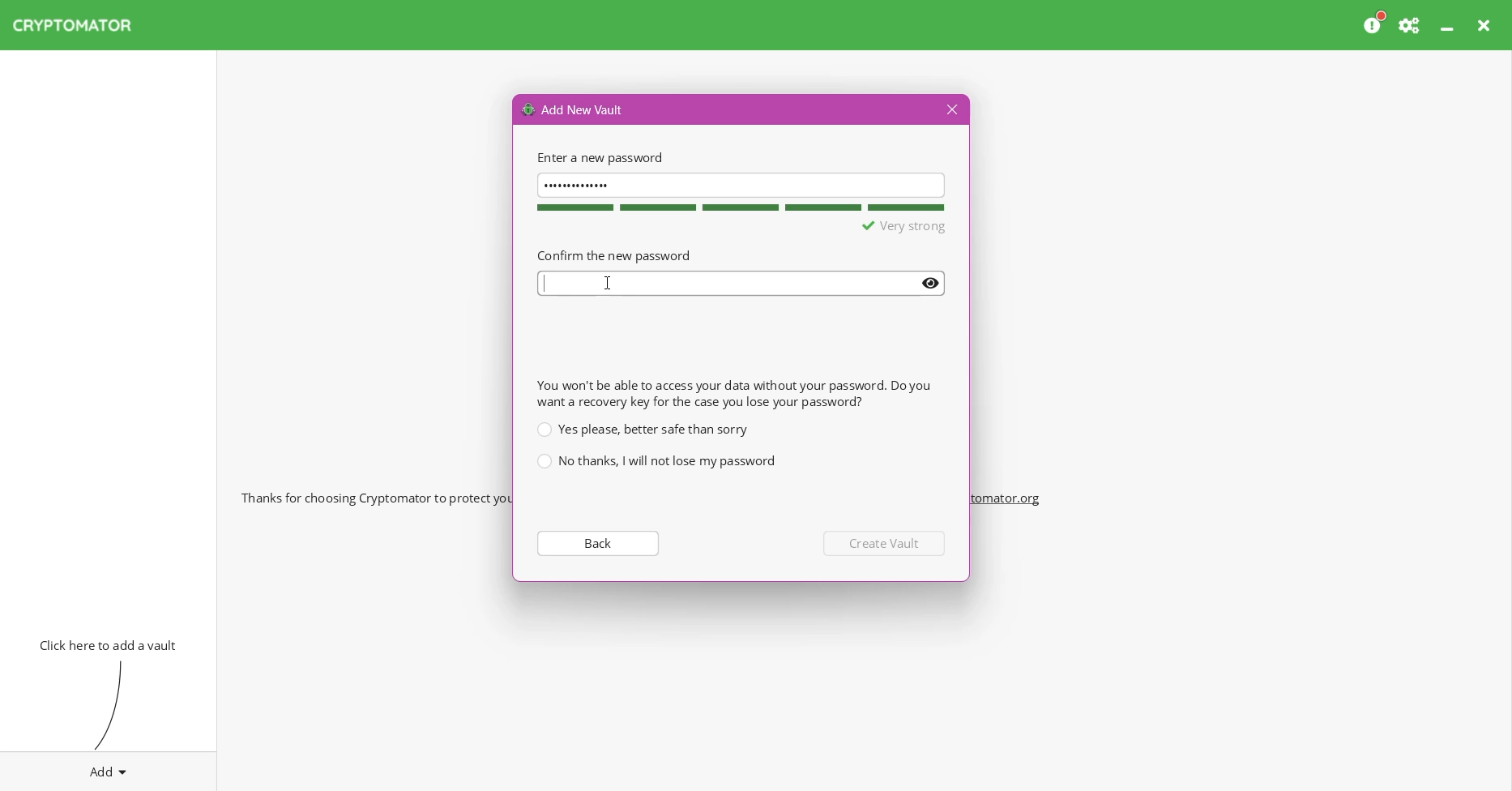  I want to click on Close, so click(1486, 25).